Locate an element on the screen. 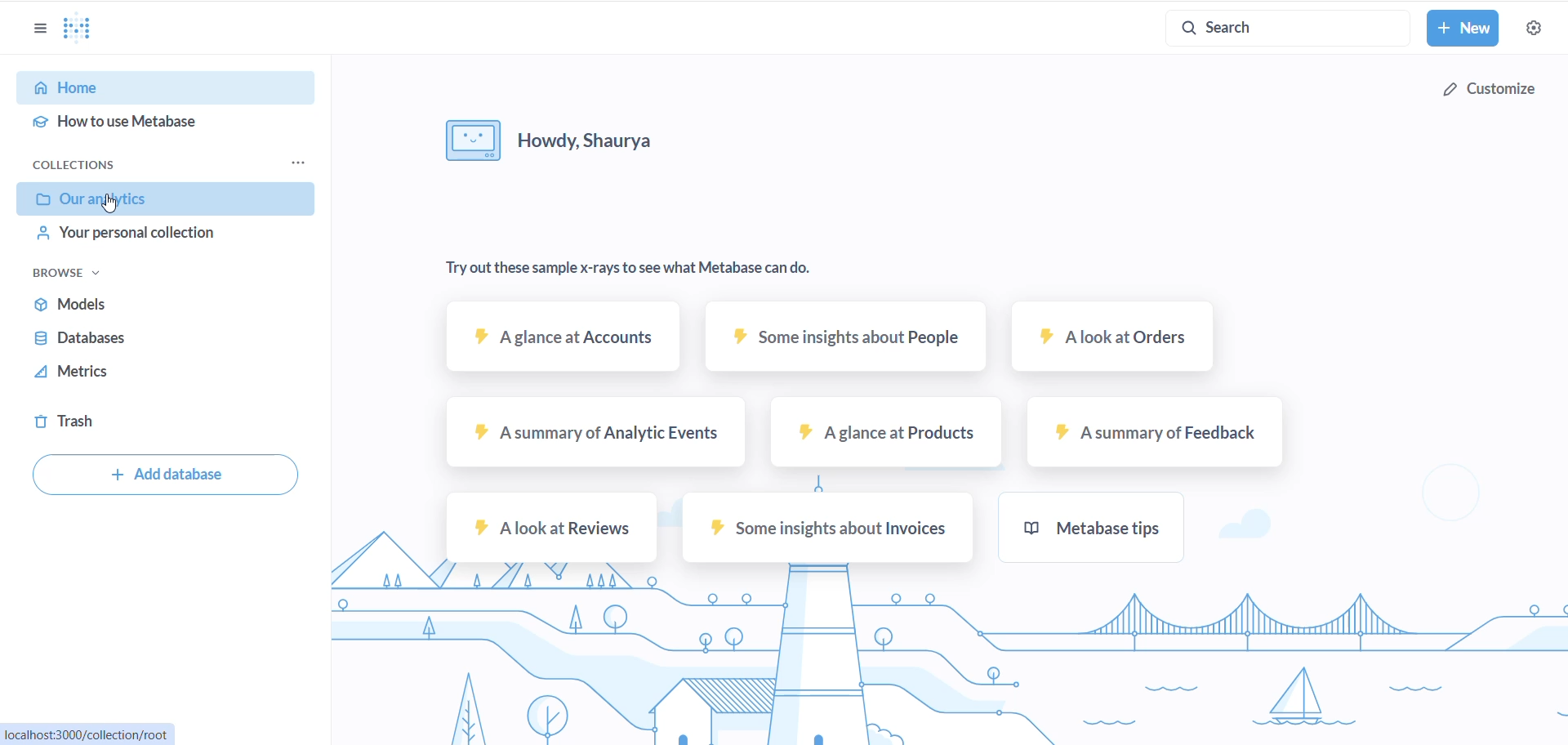  collection option is located at coordinates (296, 163).